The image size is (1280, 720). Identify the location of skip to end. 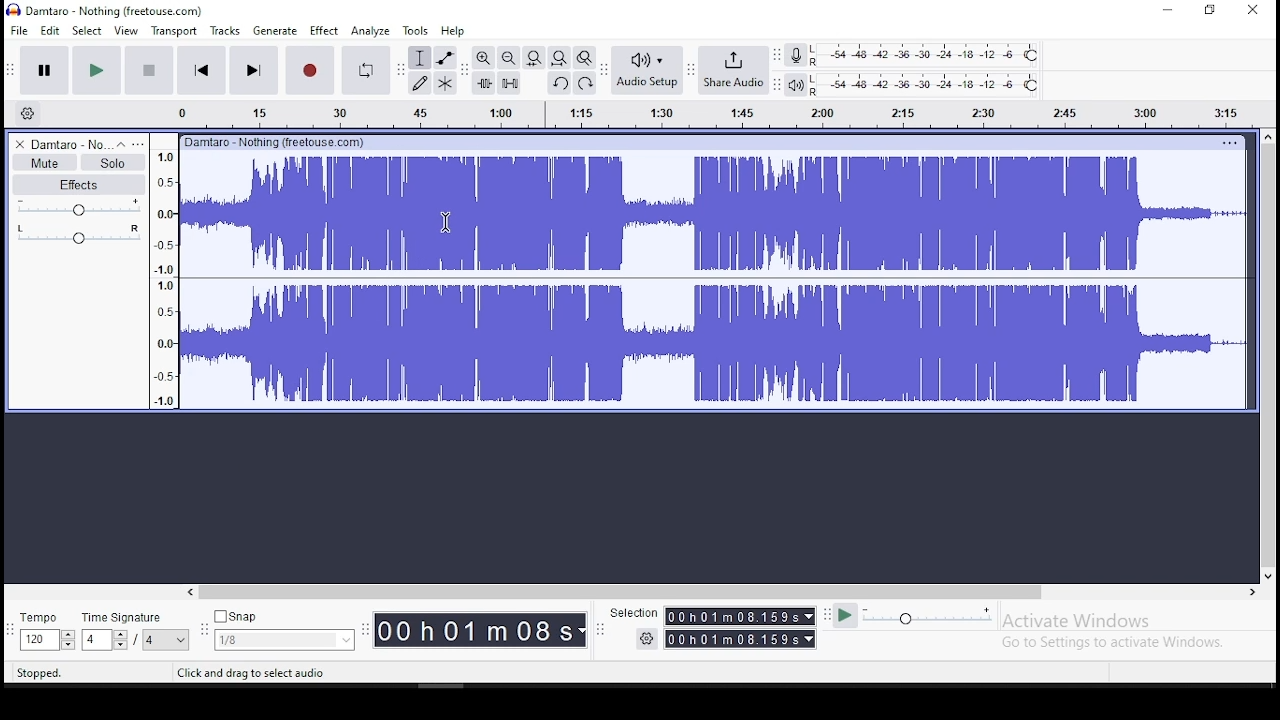
(252, 70).